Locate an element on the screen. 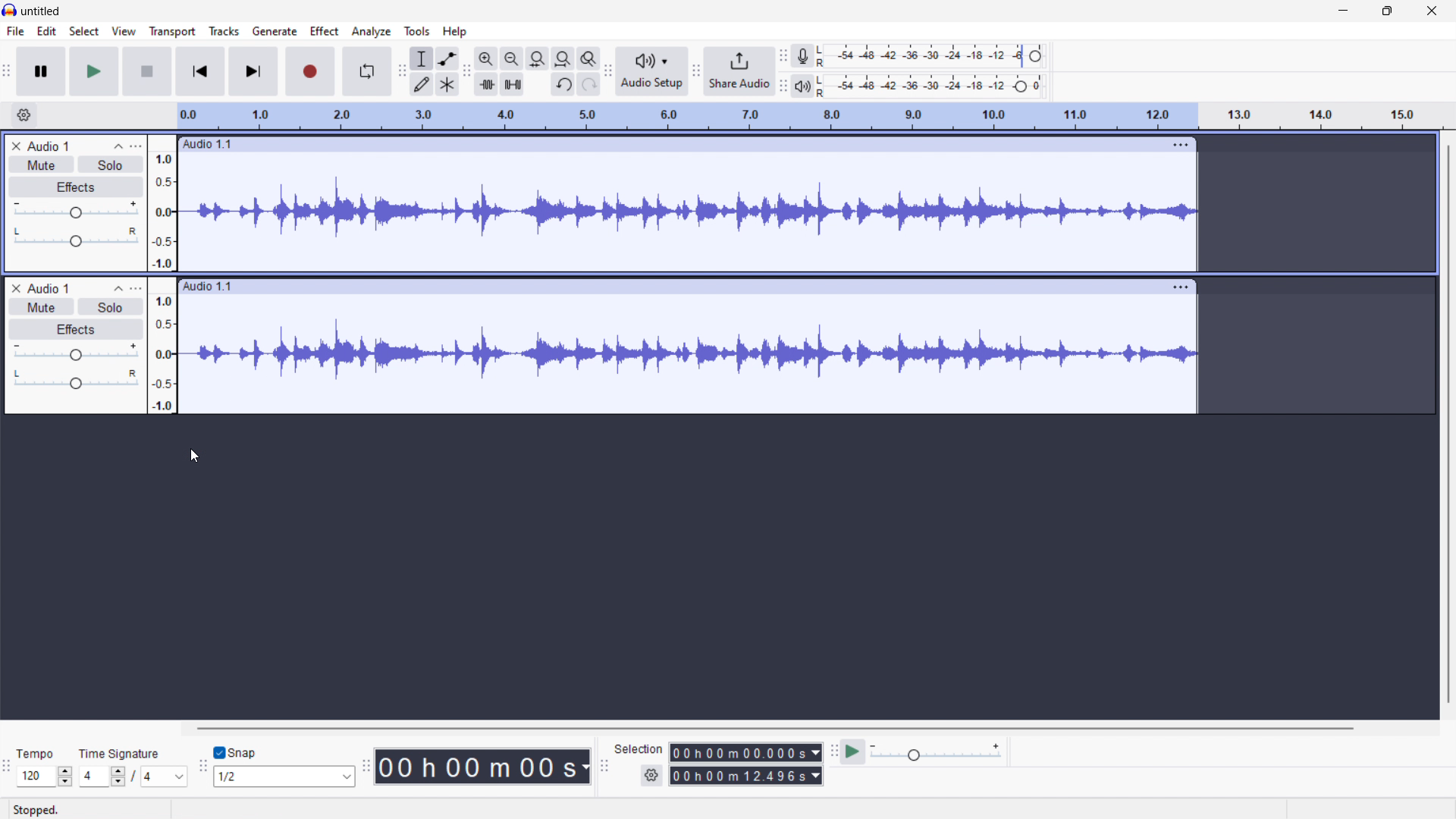  zoom in is located at coordinates (486, 58).